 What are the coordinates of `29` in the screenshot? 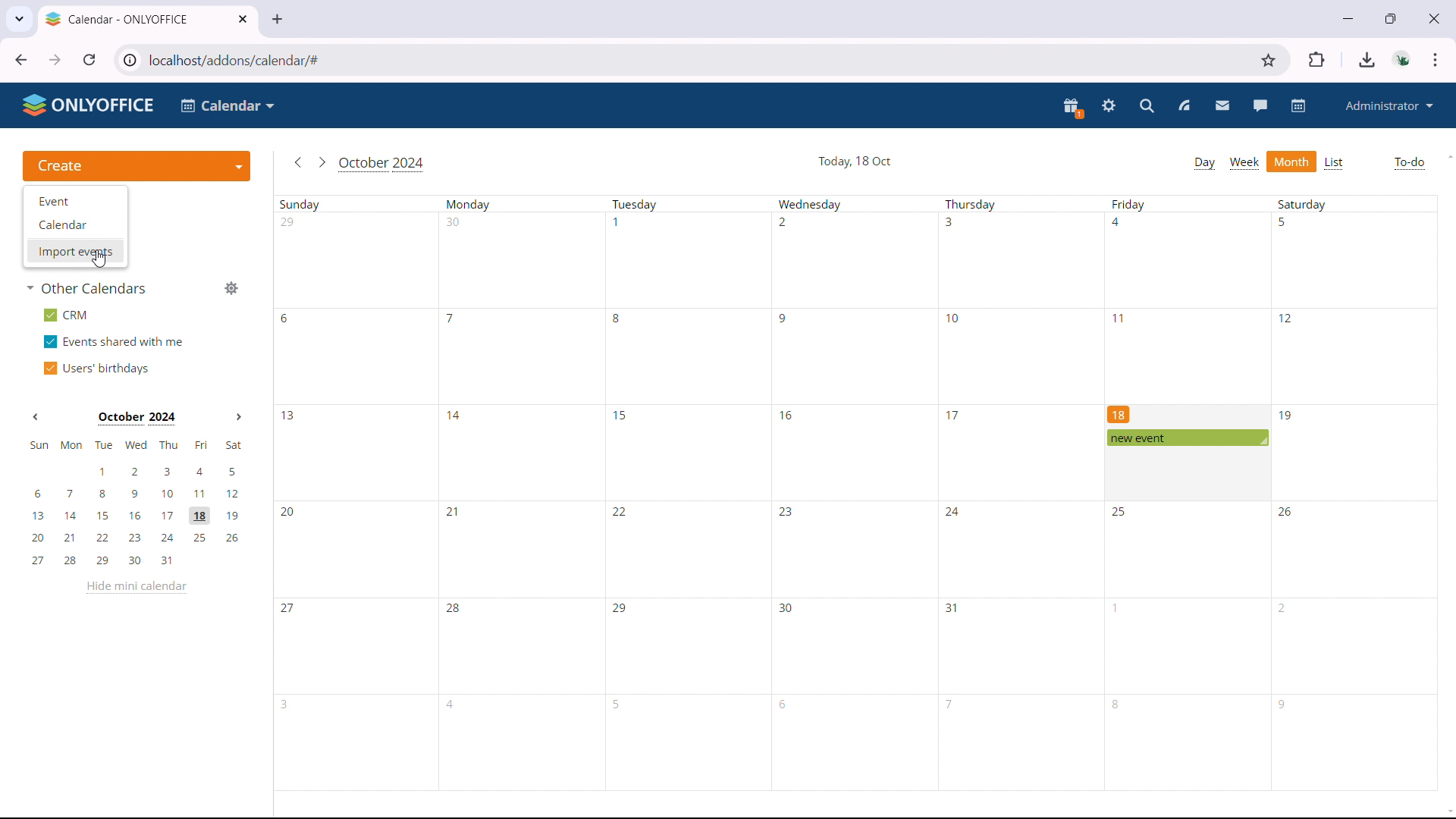 It's located at (289, 221).